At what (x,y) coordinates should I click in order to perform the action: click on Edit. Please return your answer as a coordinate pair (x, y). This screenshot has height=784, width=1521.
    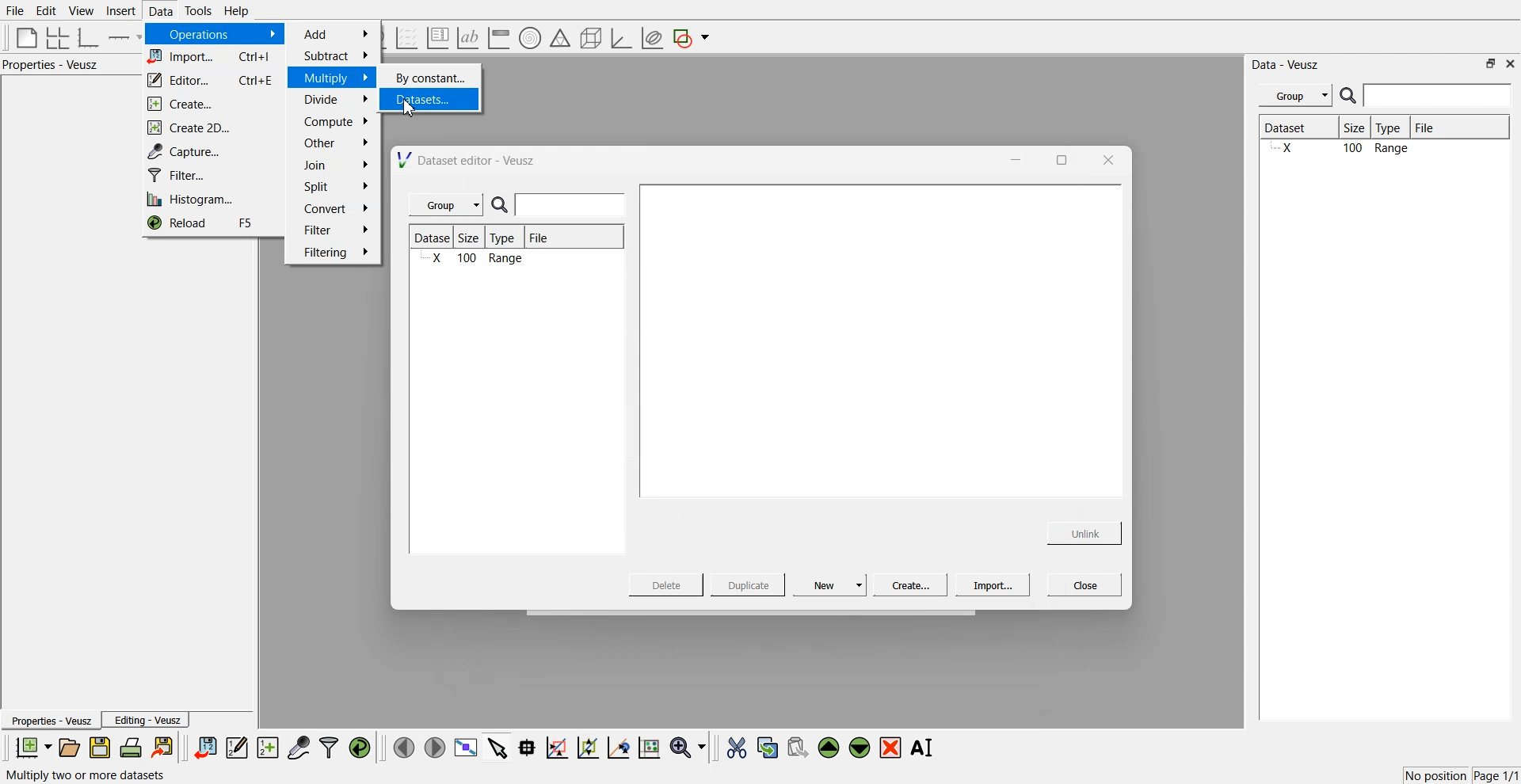
    Looking at the image, I should click on (47, 10).